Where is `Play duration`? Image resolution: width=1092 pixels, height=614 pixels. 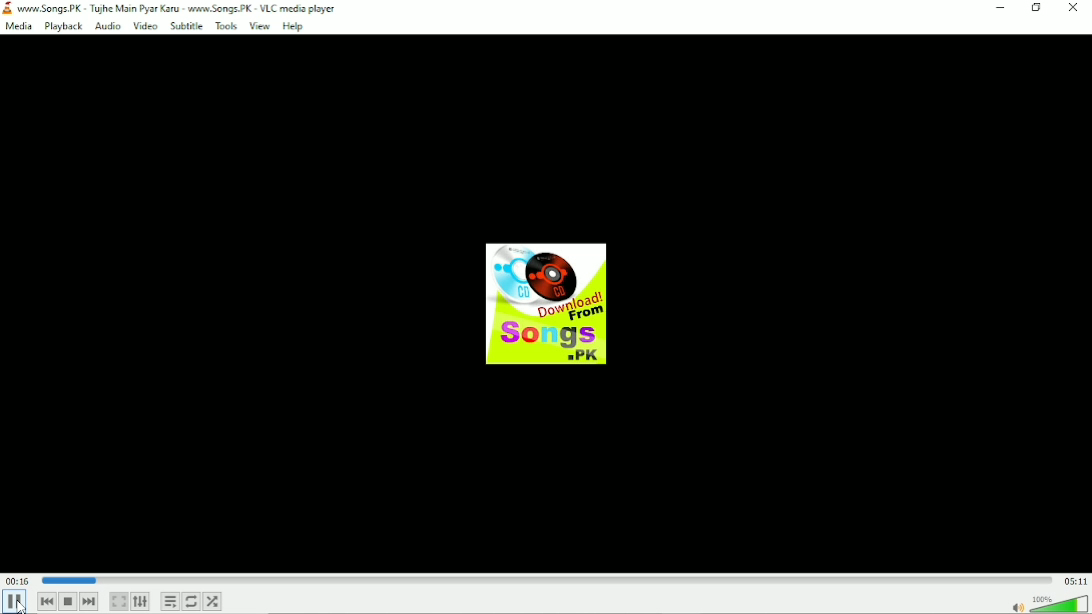 Play duration is located at coordinates (546, 582).